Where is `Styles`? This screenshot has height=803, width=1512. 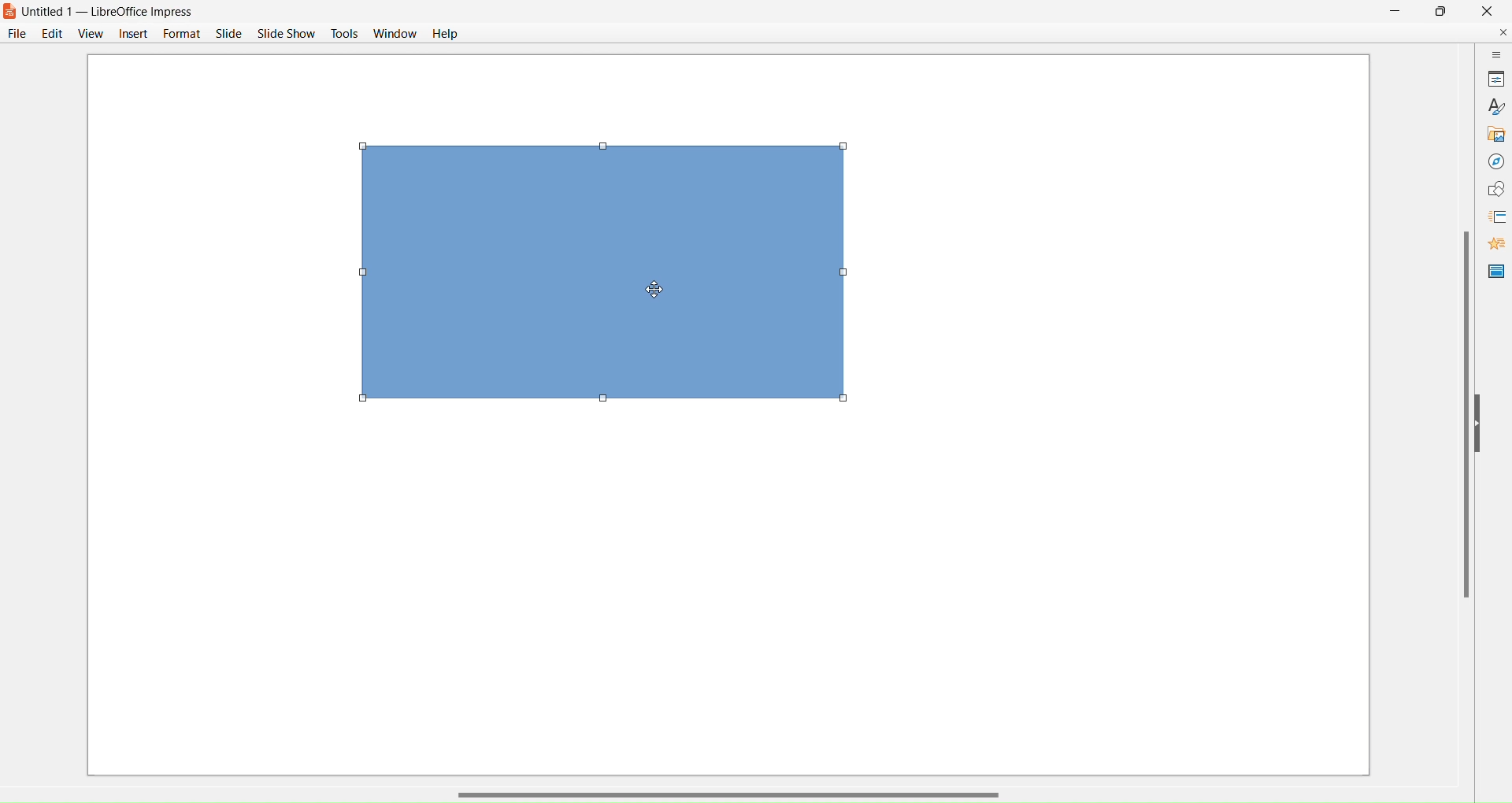
Styles is located at coordinates (1494, 106).